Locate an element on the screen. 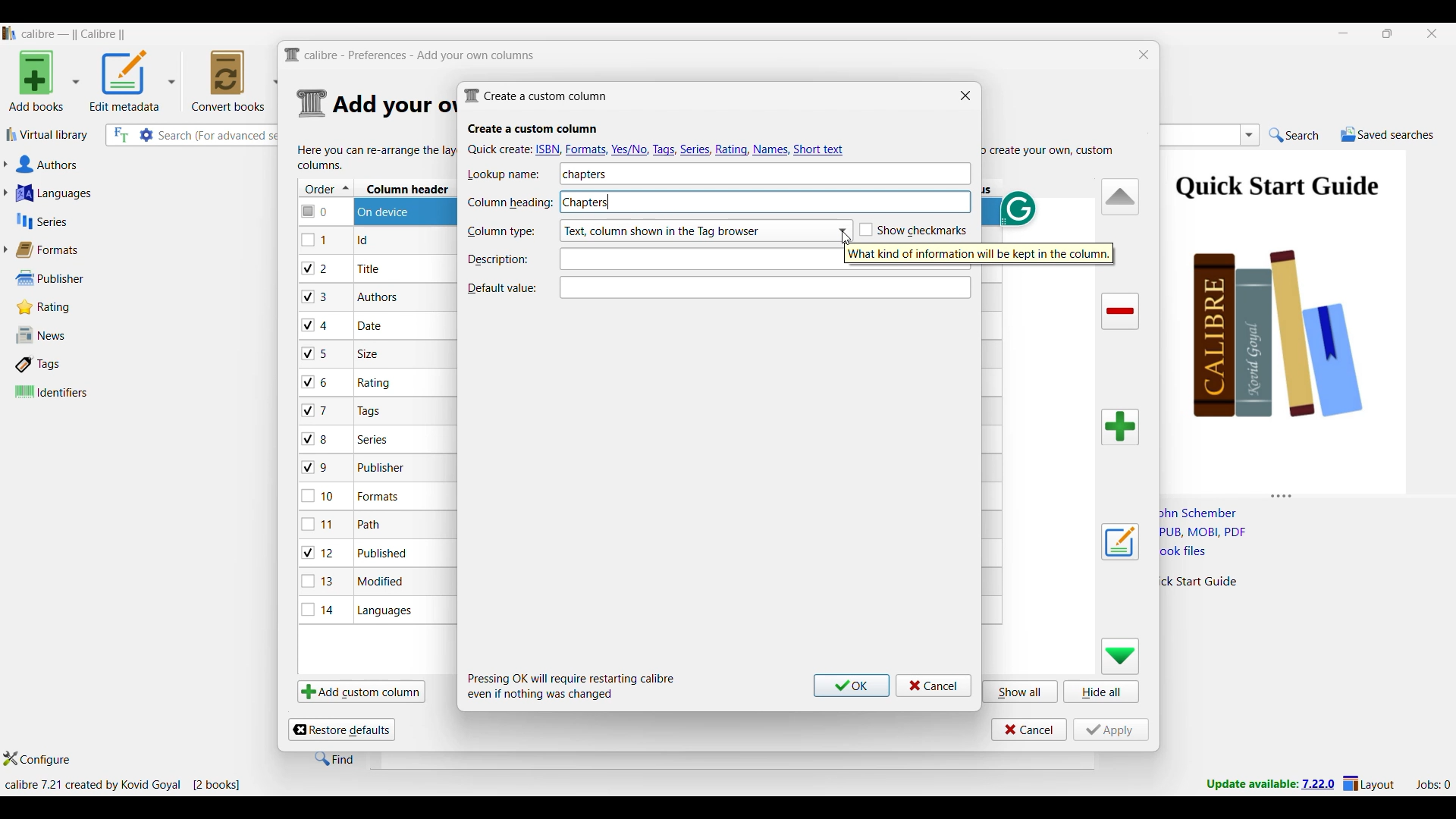 This screenshot has width=1456, height=819. checkbox - 10 is located at coordinates (321, 497).